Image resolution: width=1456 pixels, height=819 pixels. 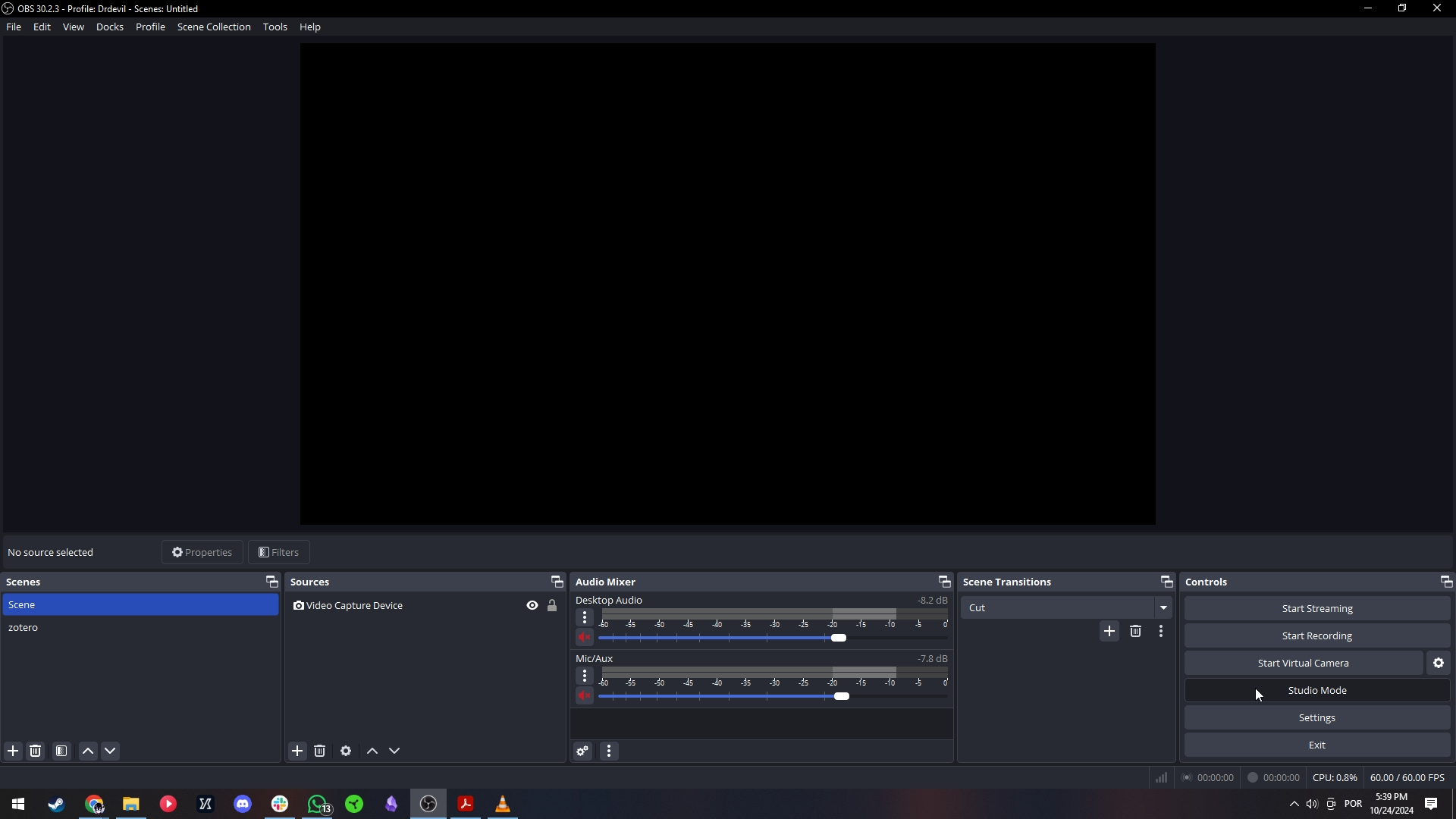 I want to click on Scene collection, so click(x=215, y=27).